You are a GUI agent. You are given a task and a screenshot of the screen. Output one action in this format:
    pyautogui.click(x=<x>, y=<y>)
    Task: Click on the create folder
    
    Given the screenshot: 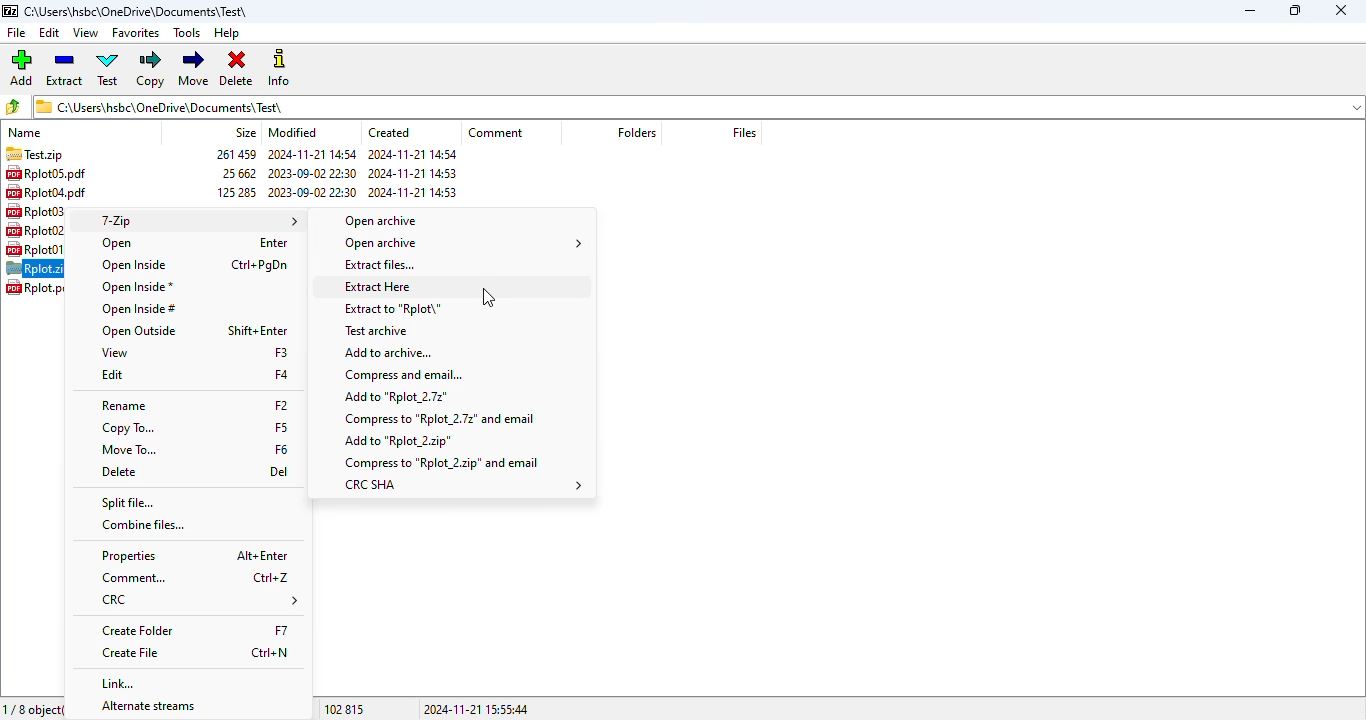 What is the action you would take?
    pyautogui.click(x=137, y=629)
    